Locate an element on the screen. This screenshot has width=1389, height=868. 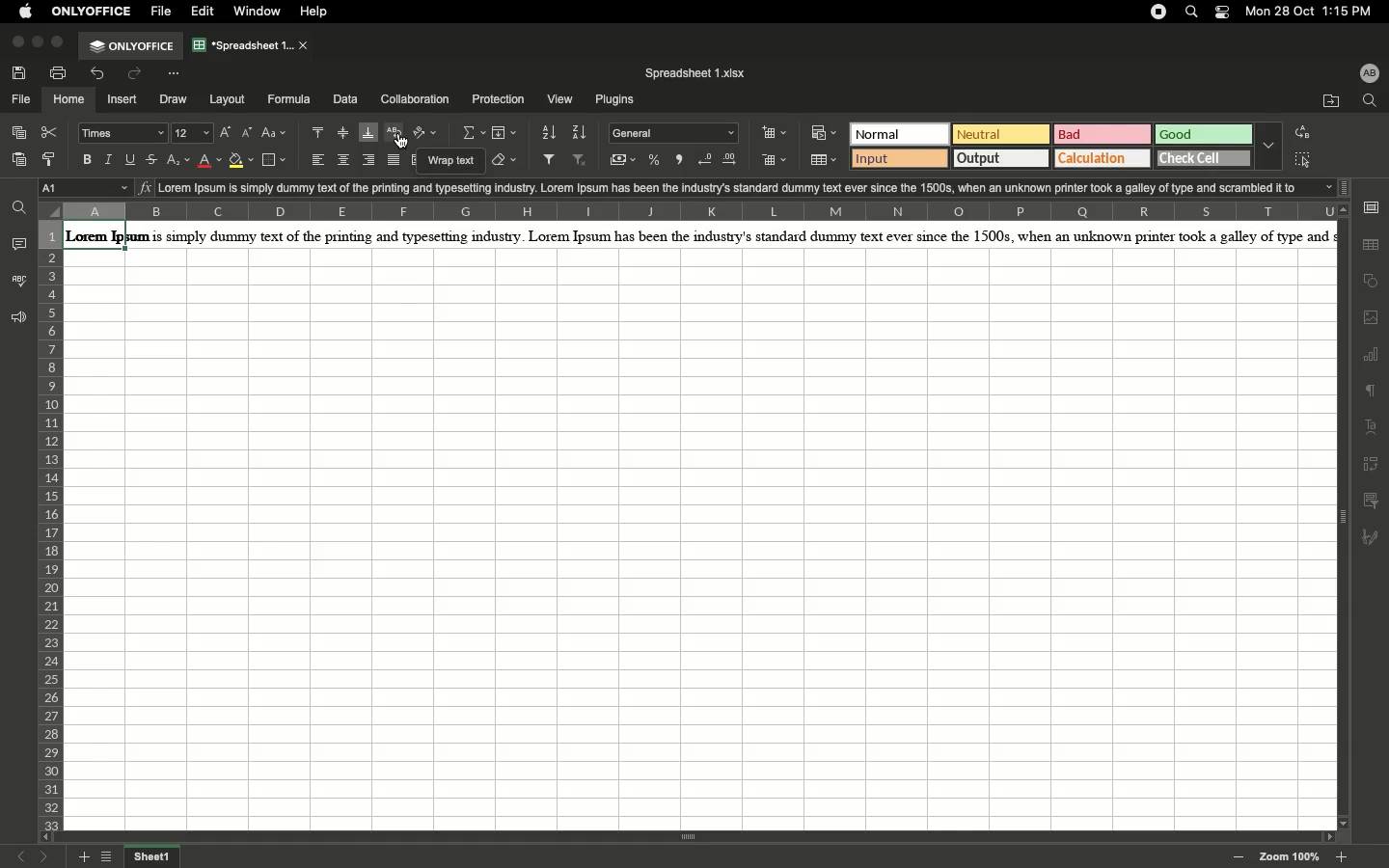
Calculation is located at coordinates (1104, 158).